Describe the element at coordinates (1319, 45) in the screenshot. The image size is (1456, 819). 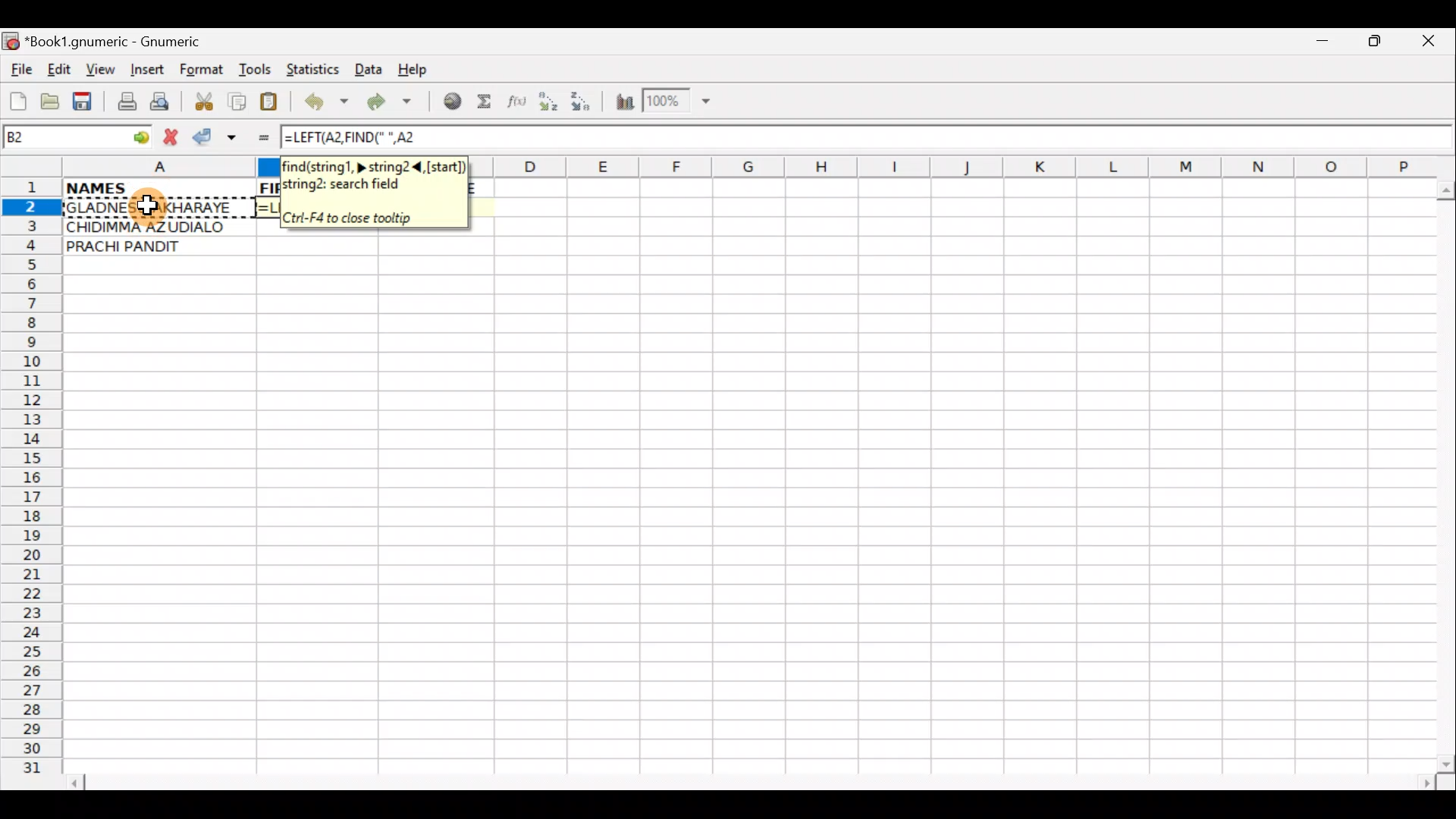
I see `Minimize` at that location.